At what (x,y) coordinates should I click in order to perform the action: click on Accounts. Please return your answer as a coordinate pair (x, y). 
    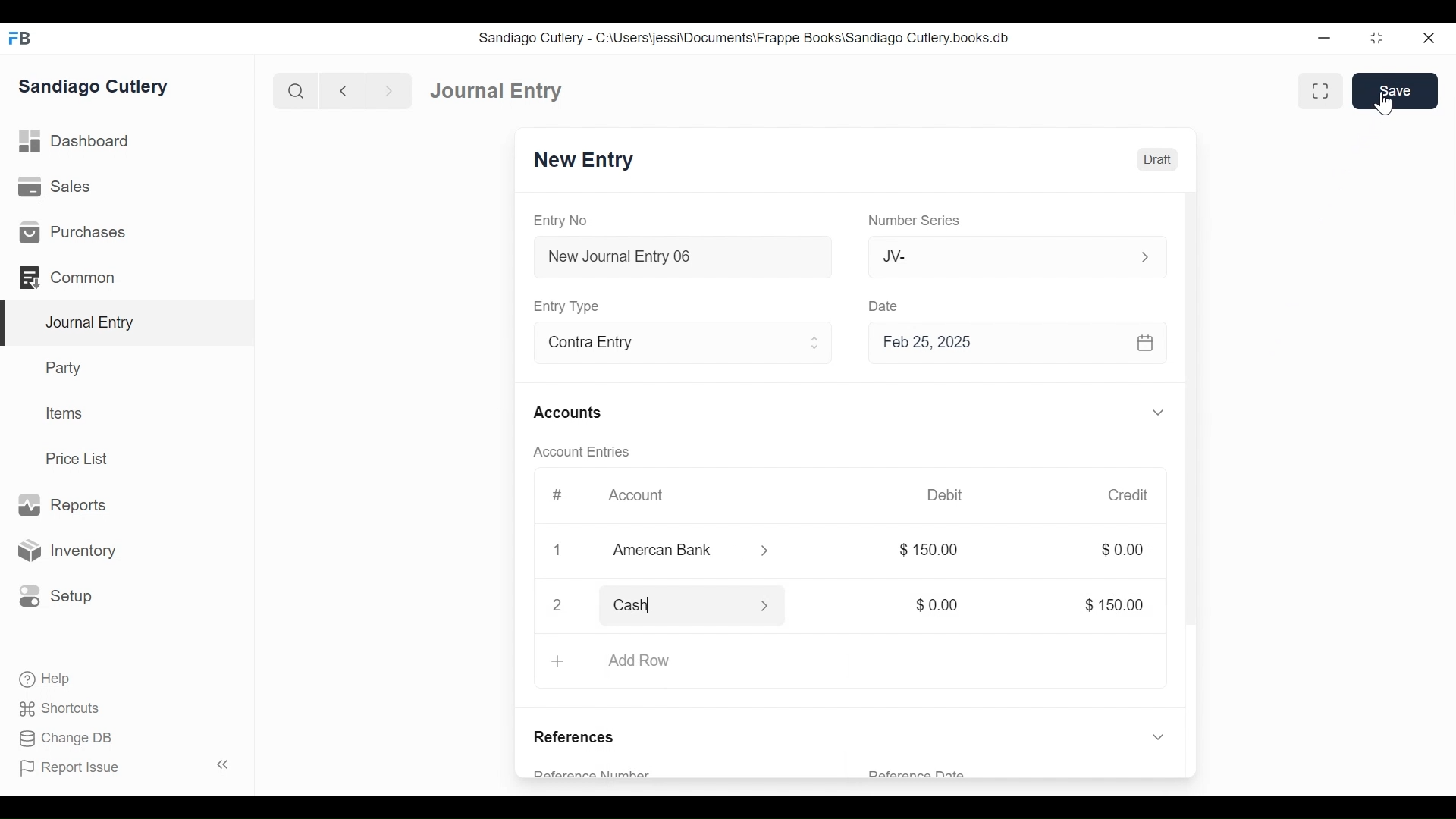
    Looking at the image, I should click on (572, 414).